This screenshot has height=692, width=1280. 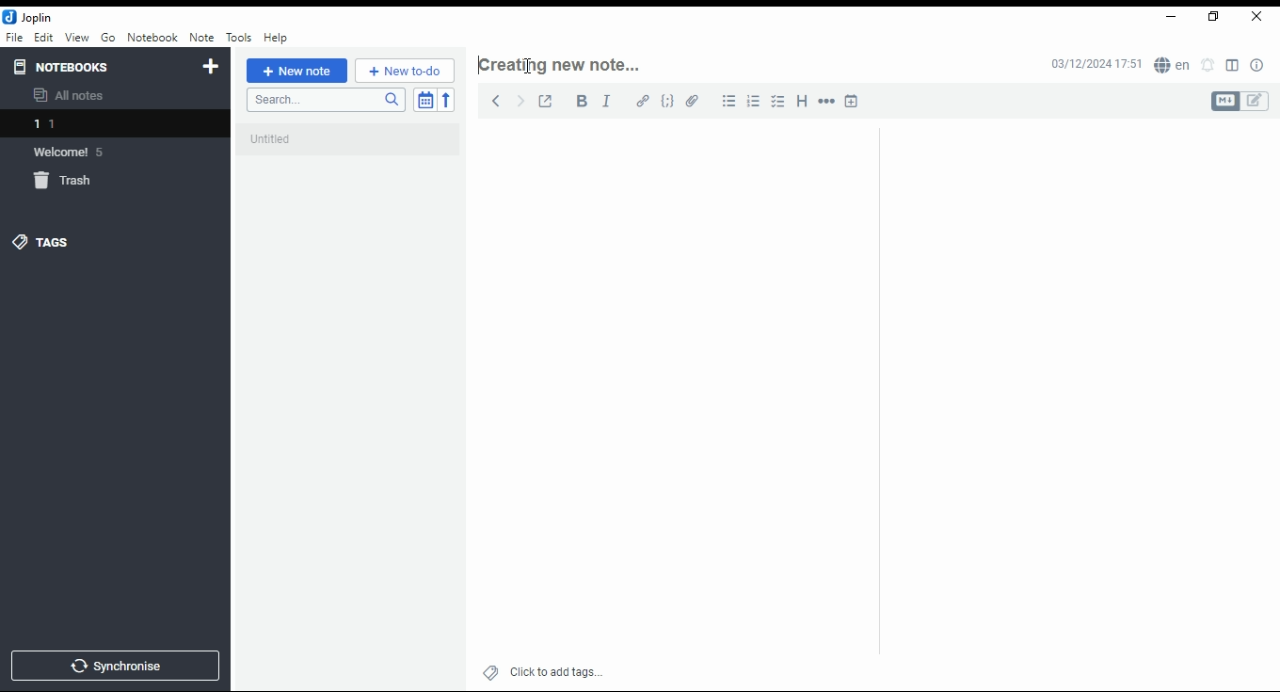 What do you see at coordinates (803, 102) in the screenshot?
I see `heading` at bounding box center [803, 102].